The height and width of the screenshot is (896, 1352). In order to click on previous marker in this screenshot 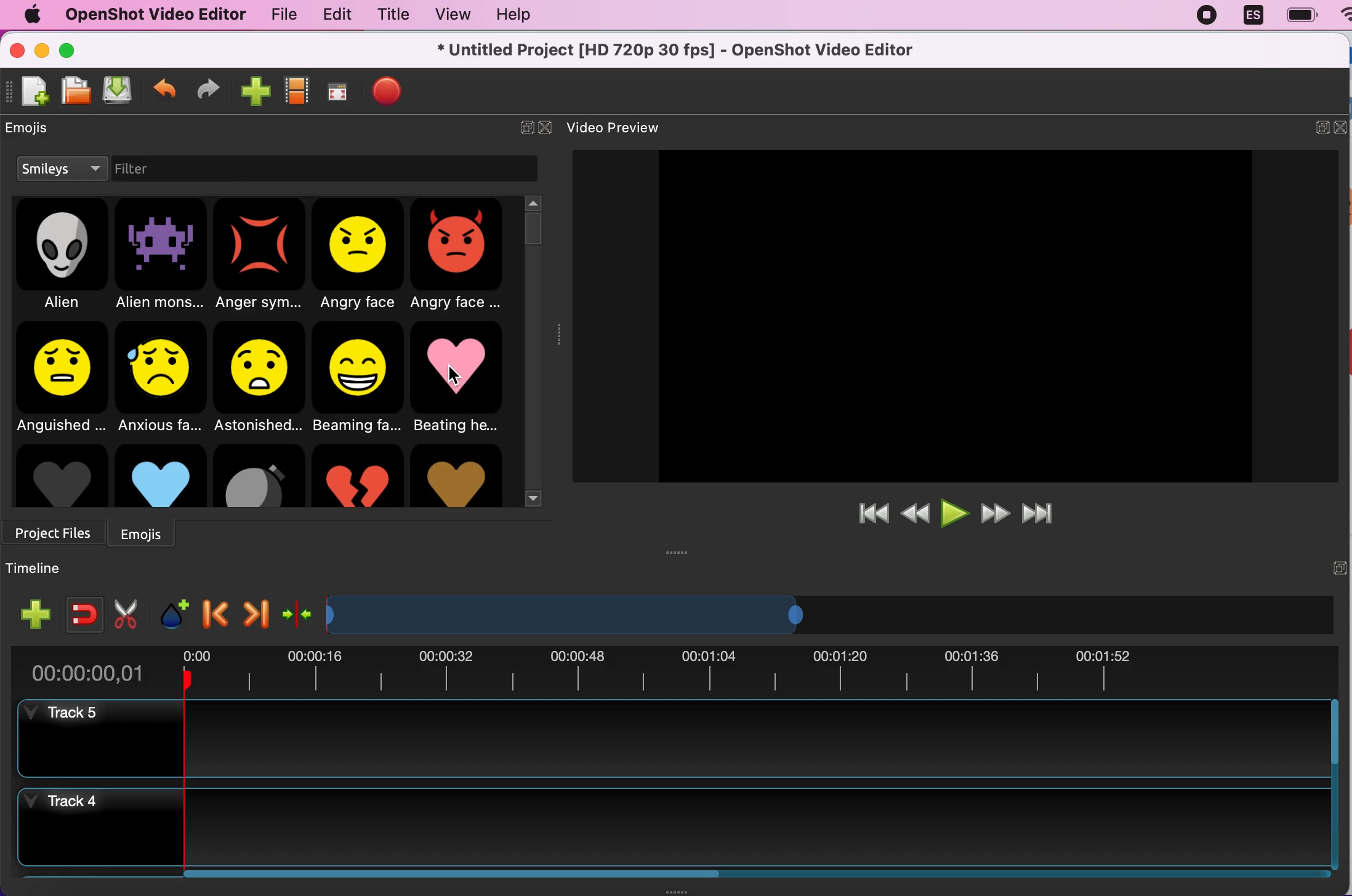, I will do `click(216, 610)`.